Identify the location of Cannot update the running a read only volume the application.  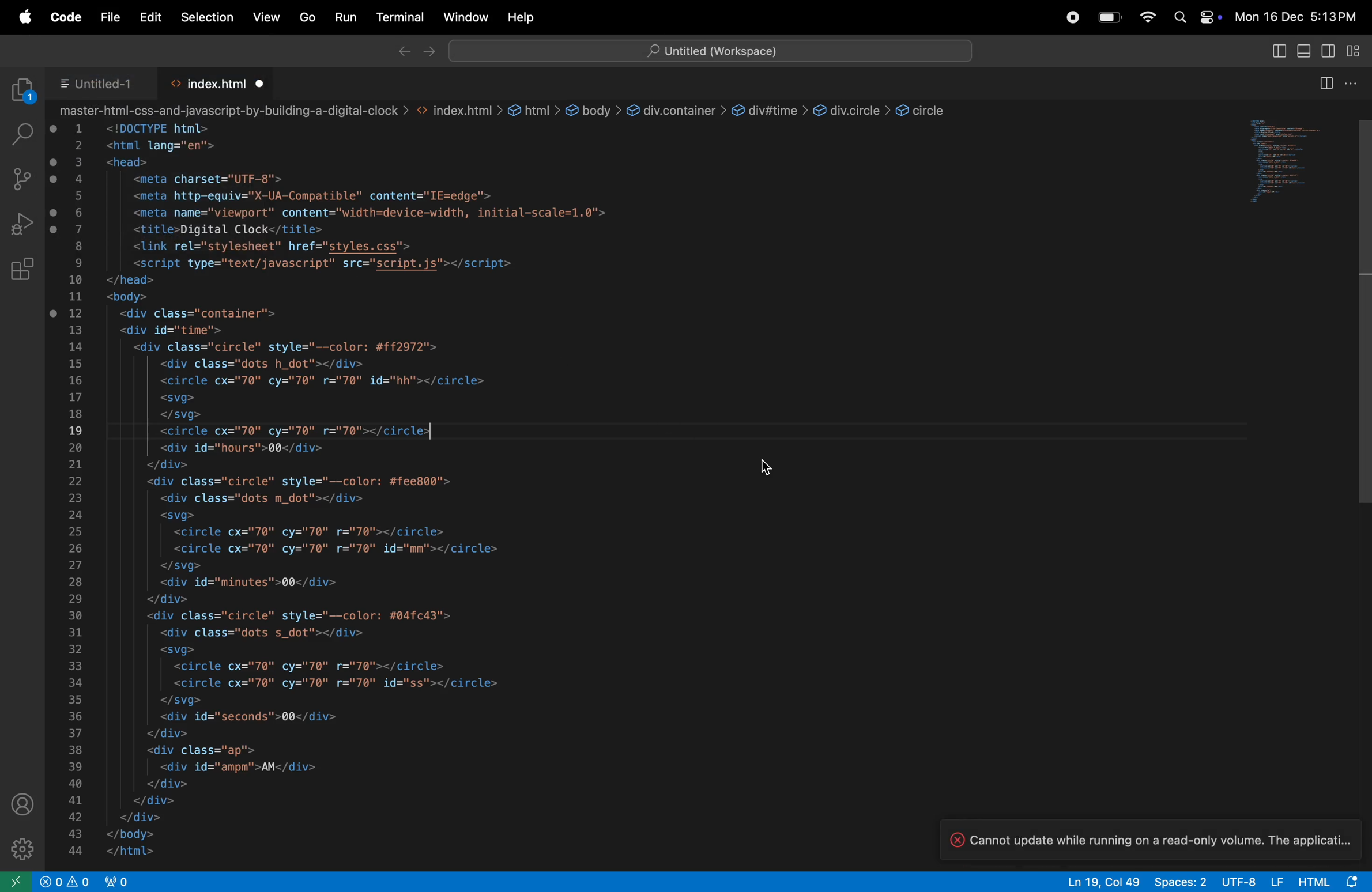
(1156, 838).